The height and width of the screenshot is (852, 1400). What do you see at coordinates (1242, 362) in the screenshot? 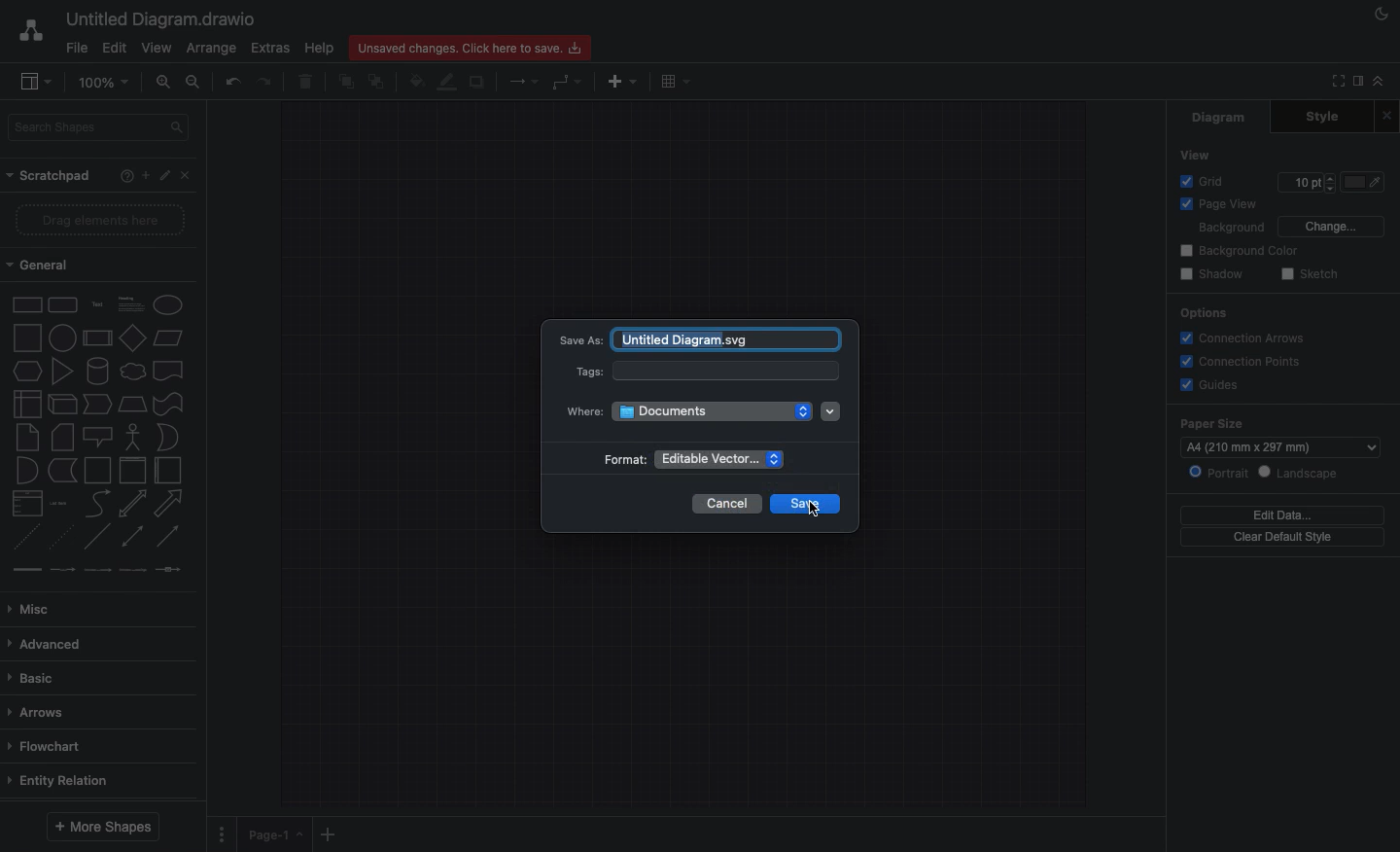
I see `Connections points` at bounding box center [1242, 362].